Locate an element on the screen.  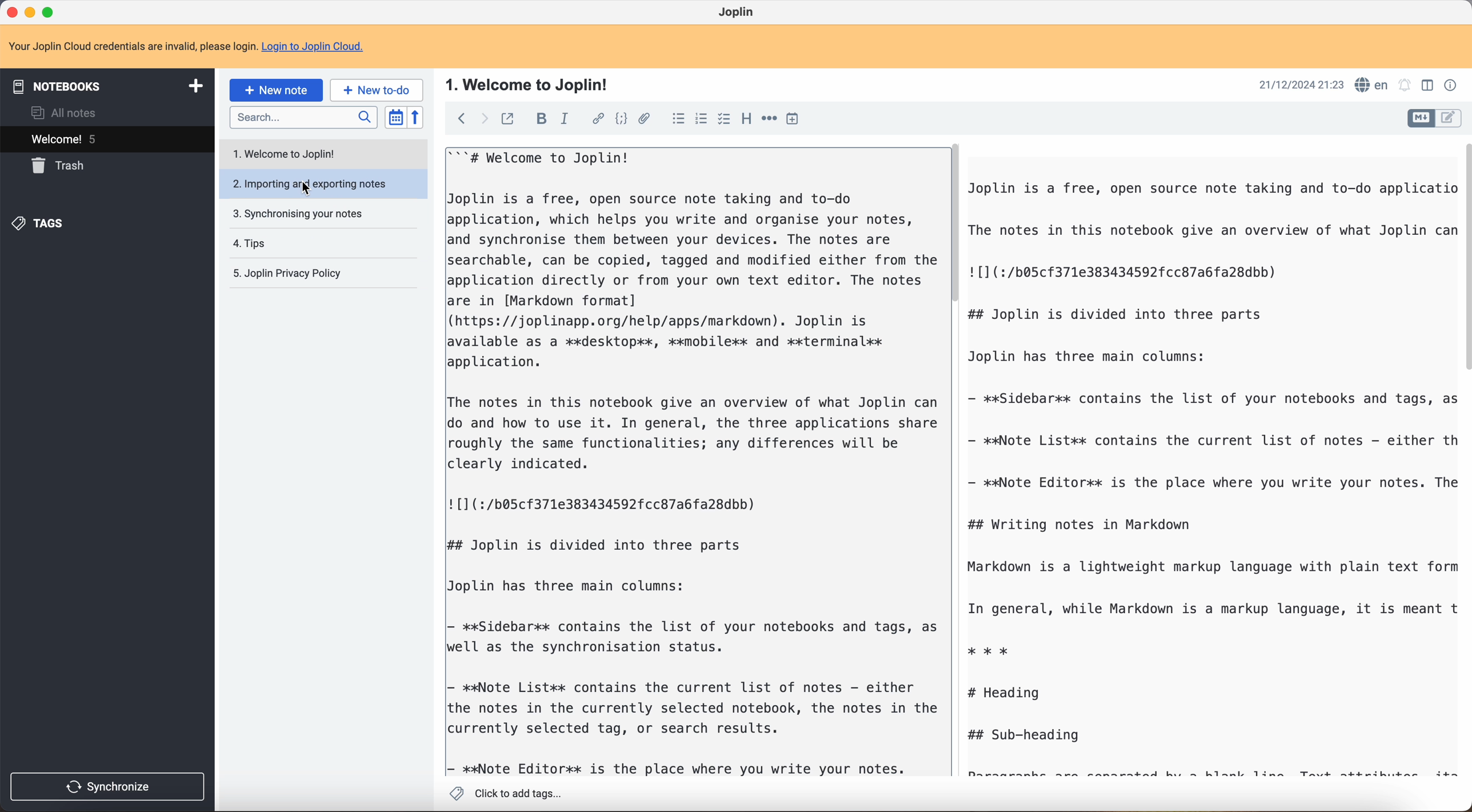
checkbox is located at coordinates (724, 118).